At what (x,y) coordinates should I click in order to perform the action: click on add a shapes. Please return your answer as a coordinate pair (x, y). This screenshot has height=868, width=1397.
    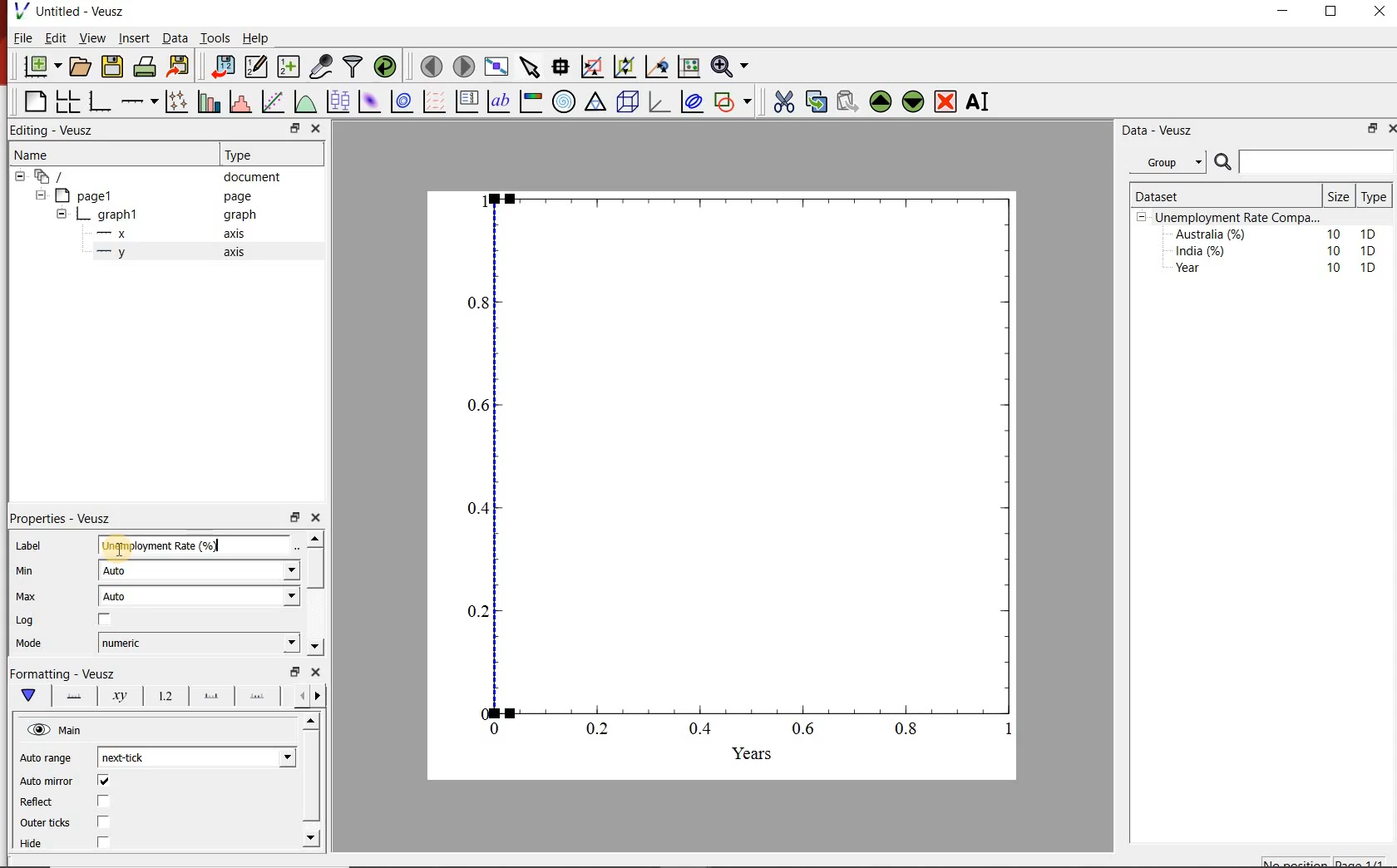
    Looking at the image, I should click on (733, 101).